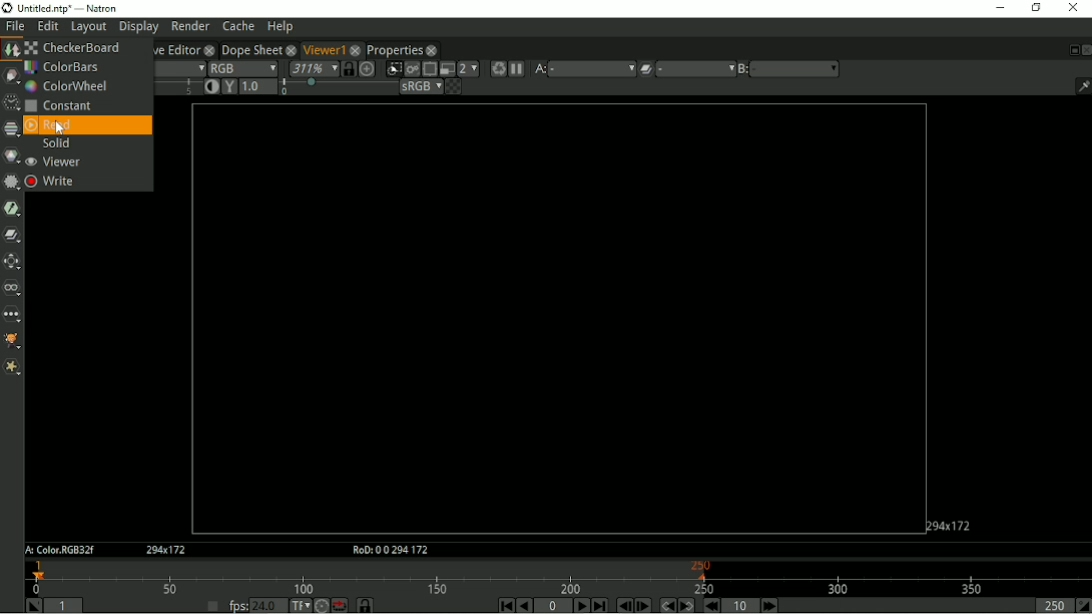  Describe the element at coordinates (190, 26) in the screenshot. I see `Render` at that location.